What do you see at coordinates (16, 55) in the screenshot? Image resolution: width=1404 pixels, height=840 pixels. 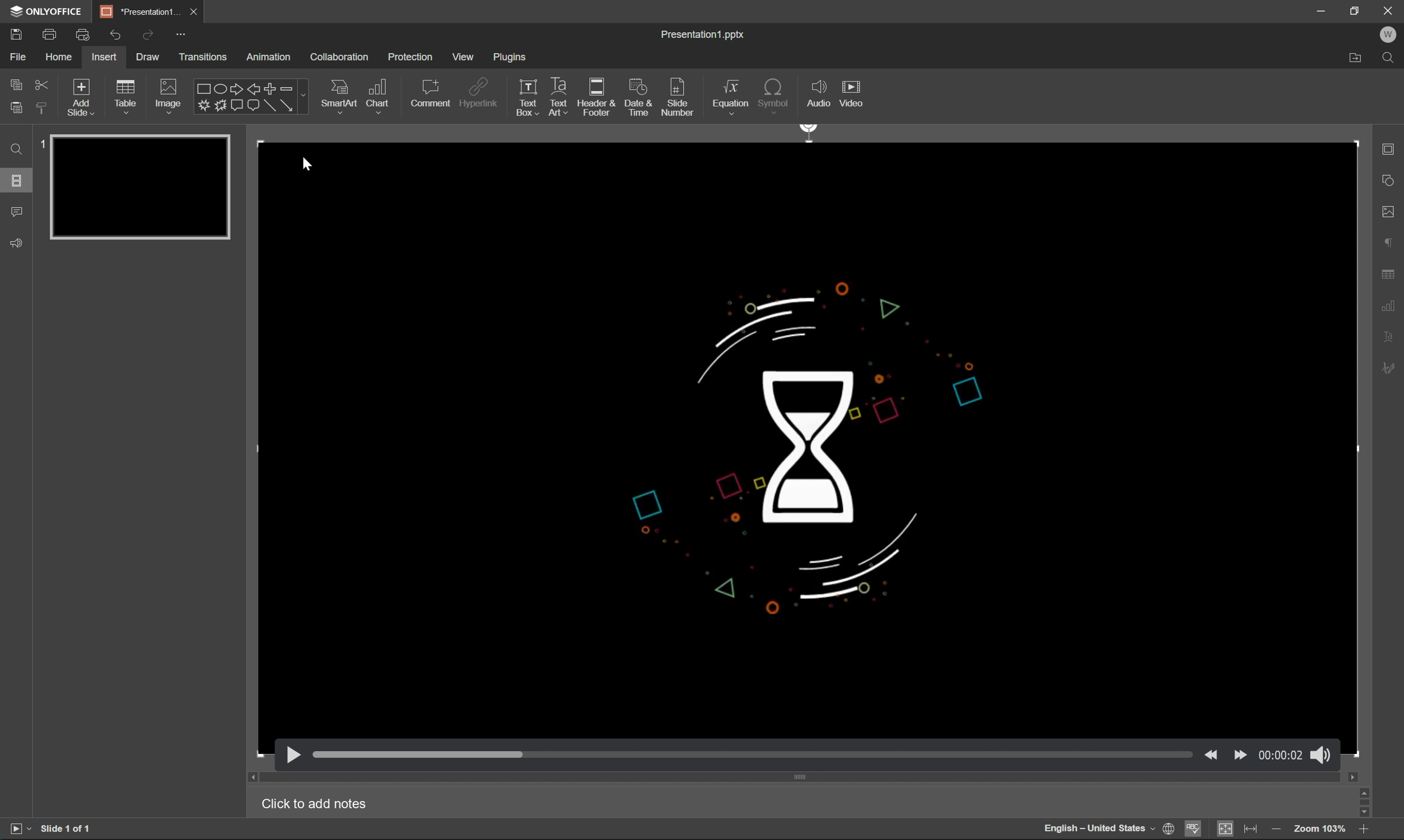 I see `file` at bounding box center [16, 55].